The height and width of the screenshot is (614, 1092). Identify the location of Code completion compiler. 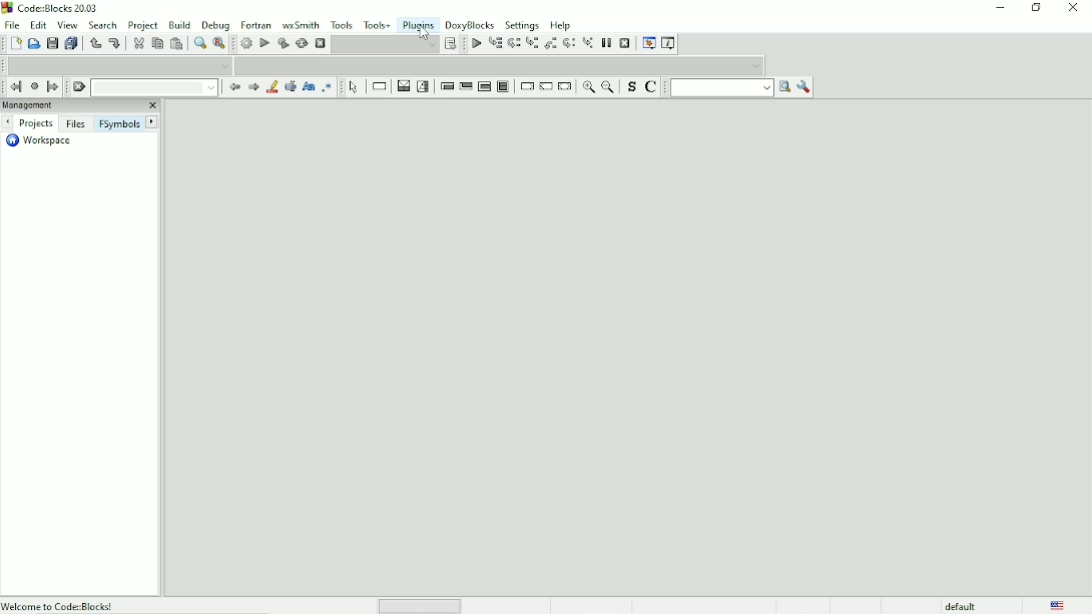
(120, 65).